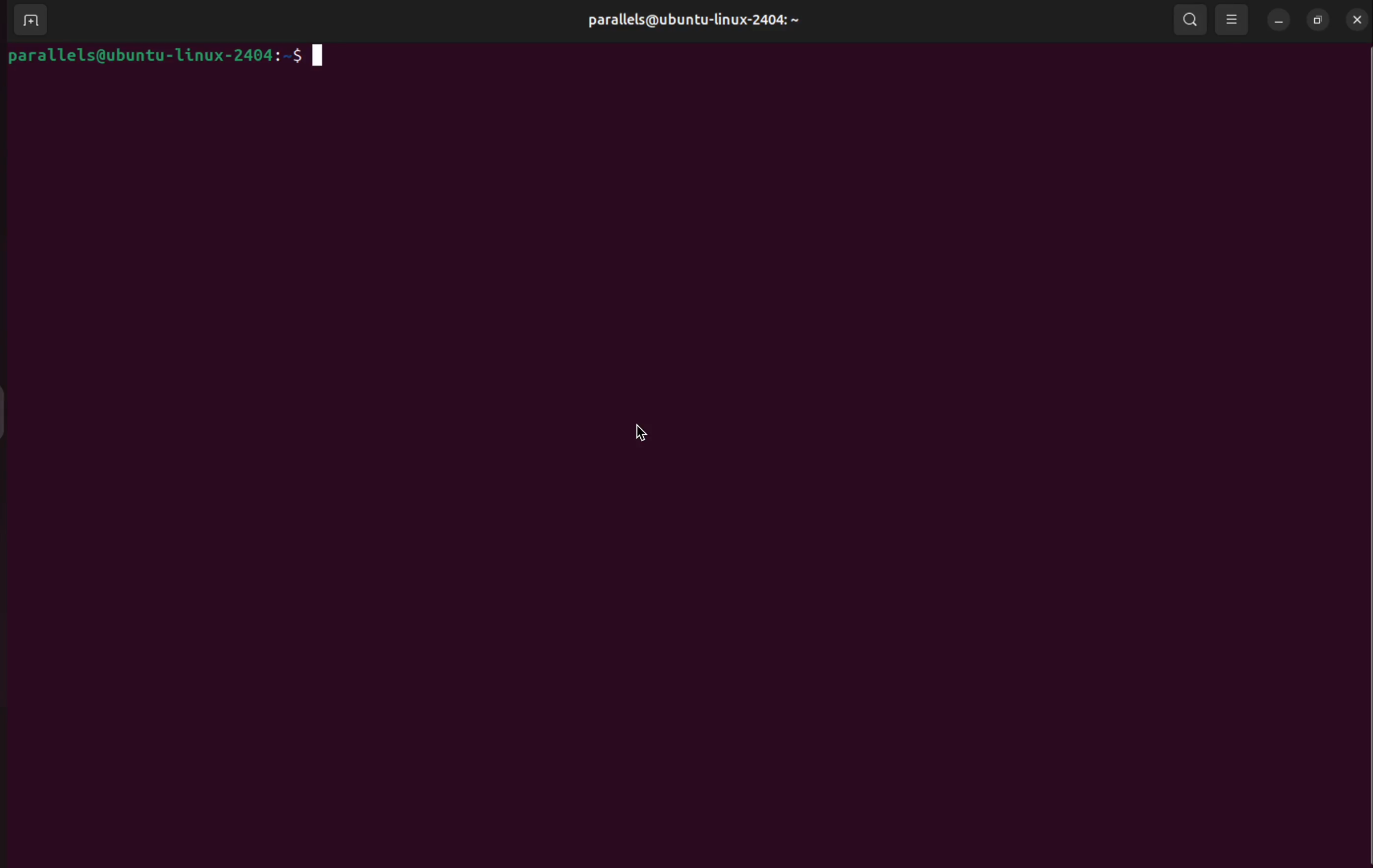 The width and height of the screenshot is (1373, 868). Describe the element at coordinates (1318, 20) in the screenshot. I see `resize` at that location.